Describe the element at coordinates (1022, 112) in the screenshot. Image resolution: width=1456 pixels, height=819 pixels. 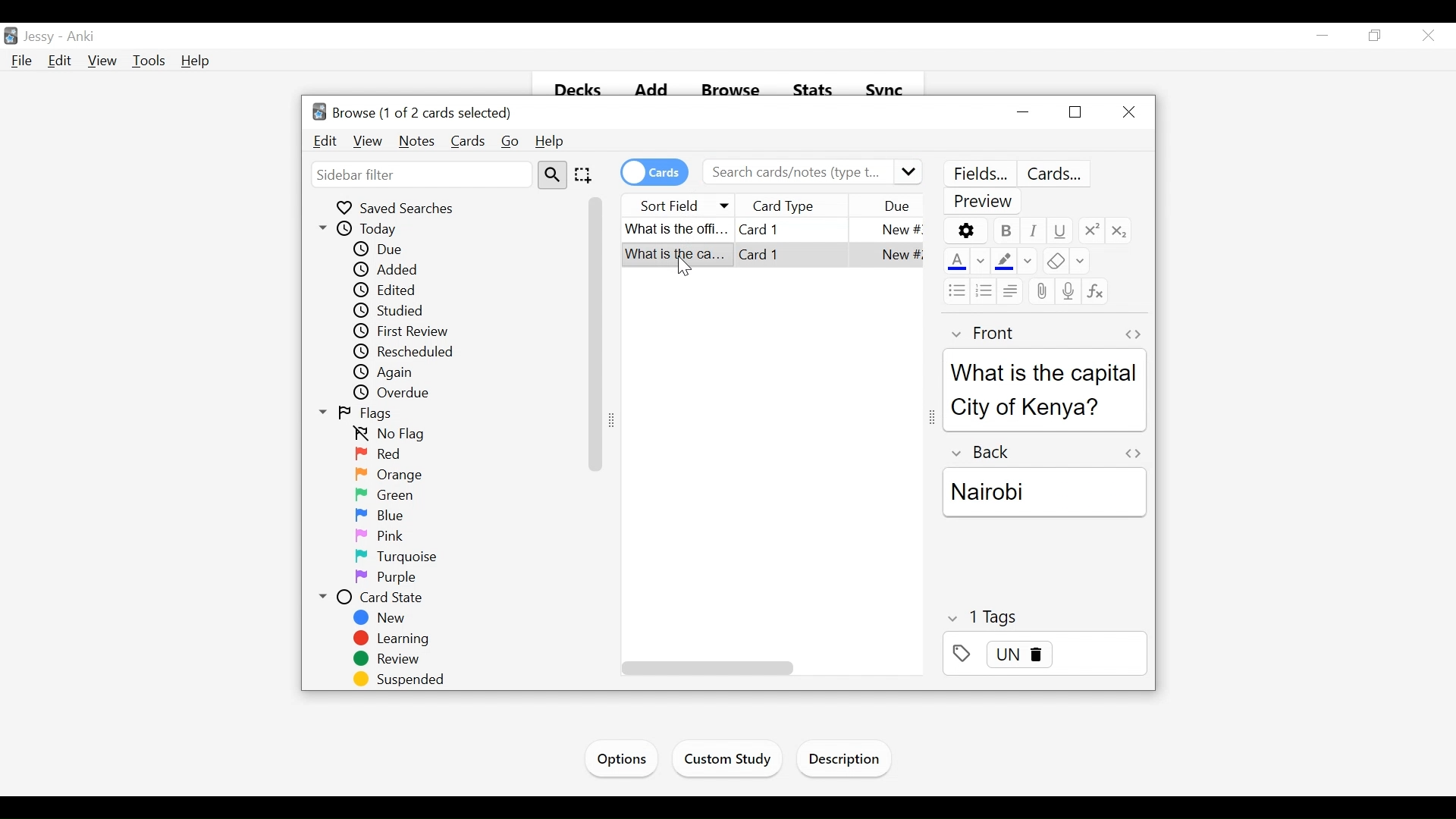
I see `minimize` at that location.